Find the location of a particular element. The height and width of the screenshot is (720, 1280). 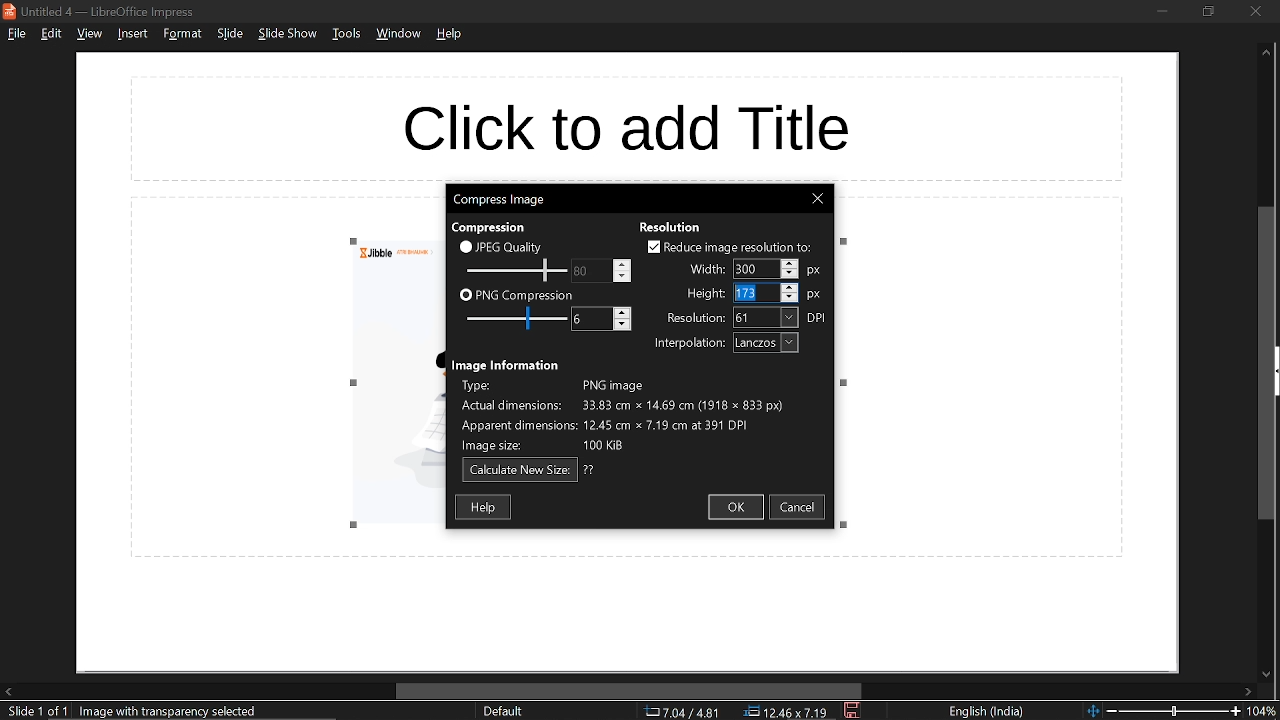

Selected is located at coordinates (750, 292).